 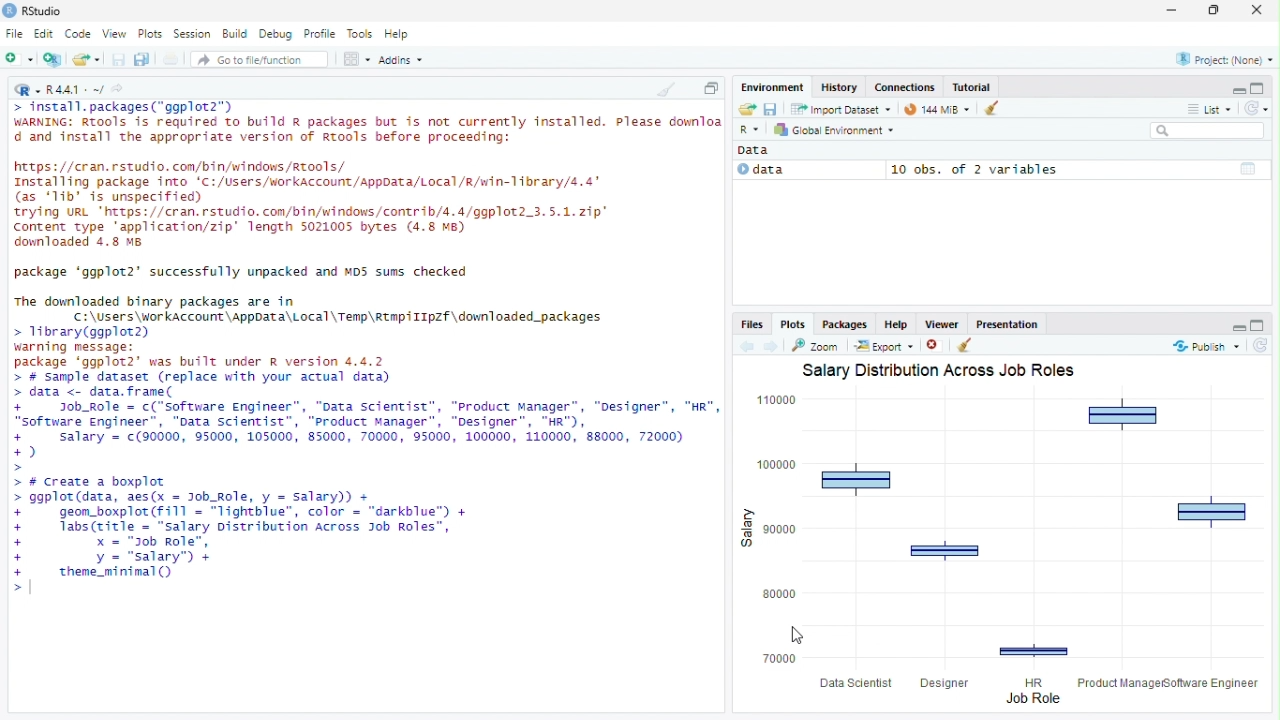 What do you see at coordinates (1255, 107) in the screenshot?
I see `Refresh option` at bounding box center [1255, 107].